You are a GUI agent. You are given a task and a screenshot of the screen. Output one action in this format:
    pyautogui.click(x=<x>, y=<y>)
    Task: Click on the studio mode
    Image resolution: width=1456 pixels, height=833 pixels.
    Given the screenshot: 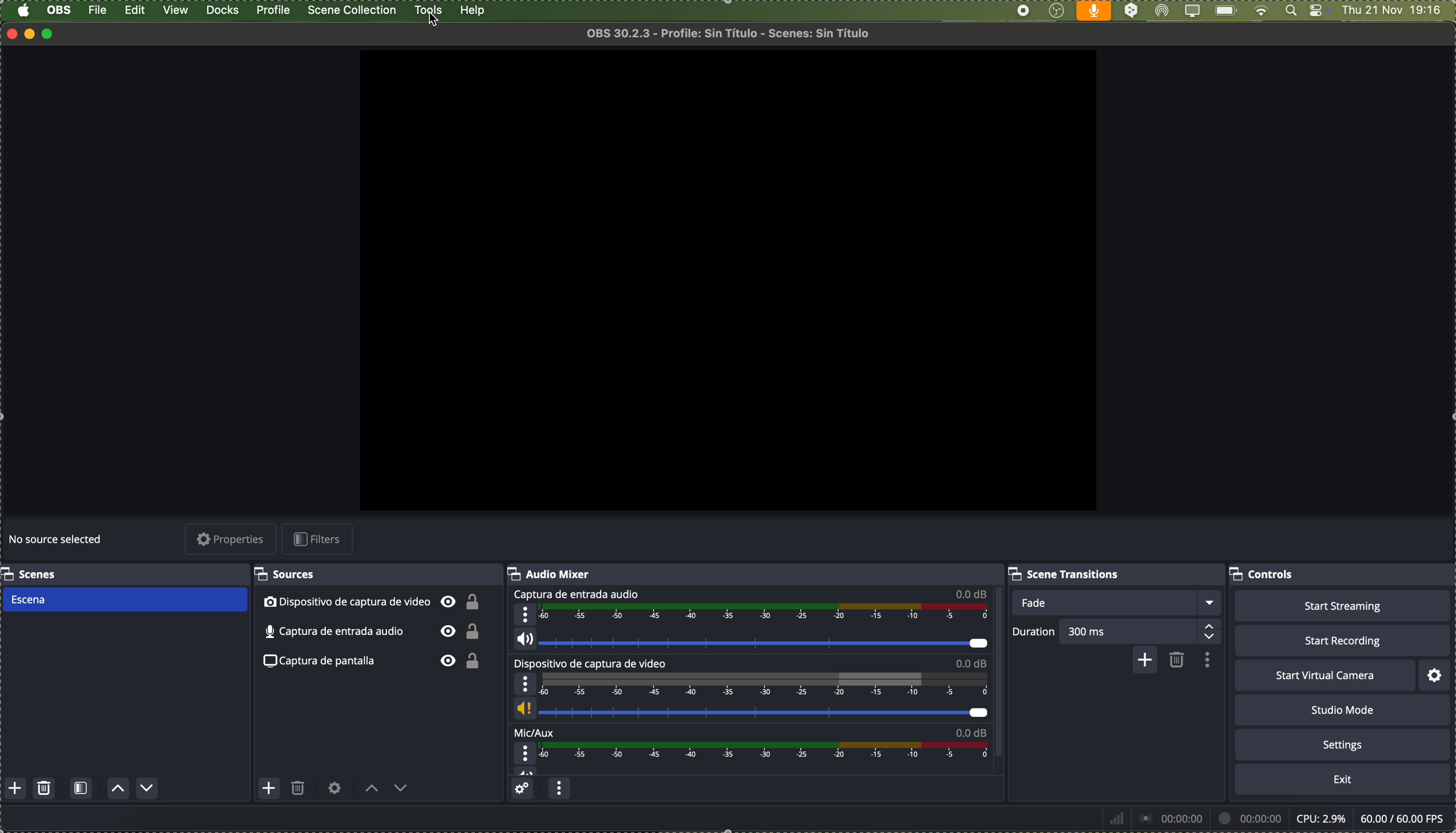 What is the action you would take?
    pyautogui.click(x=1343, y=710)
    